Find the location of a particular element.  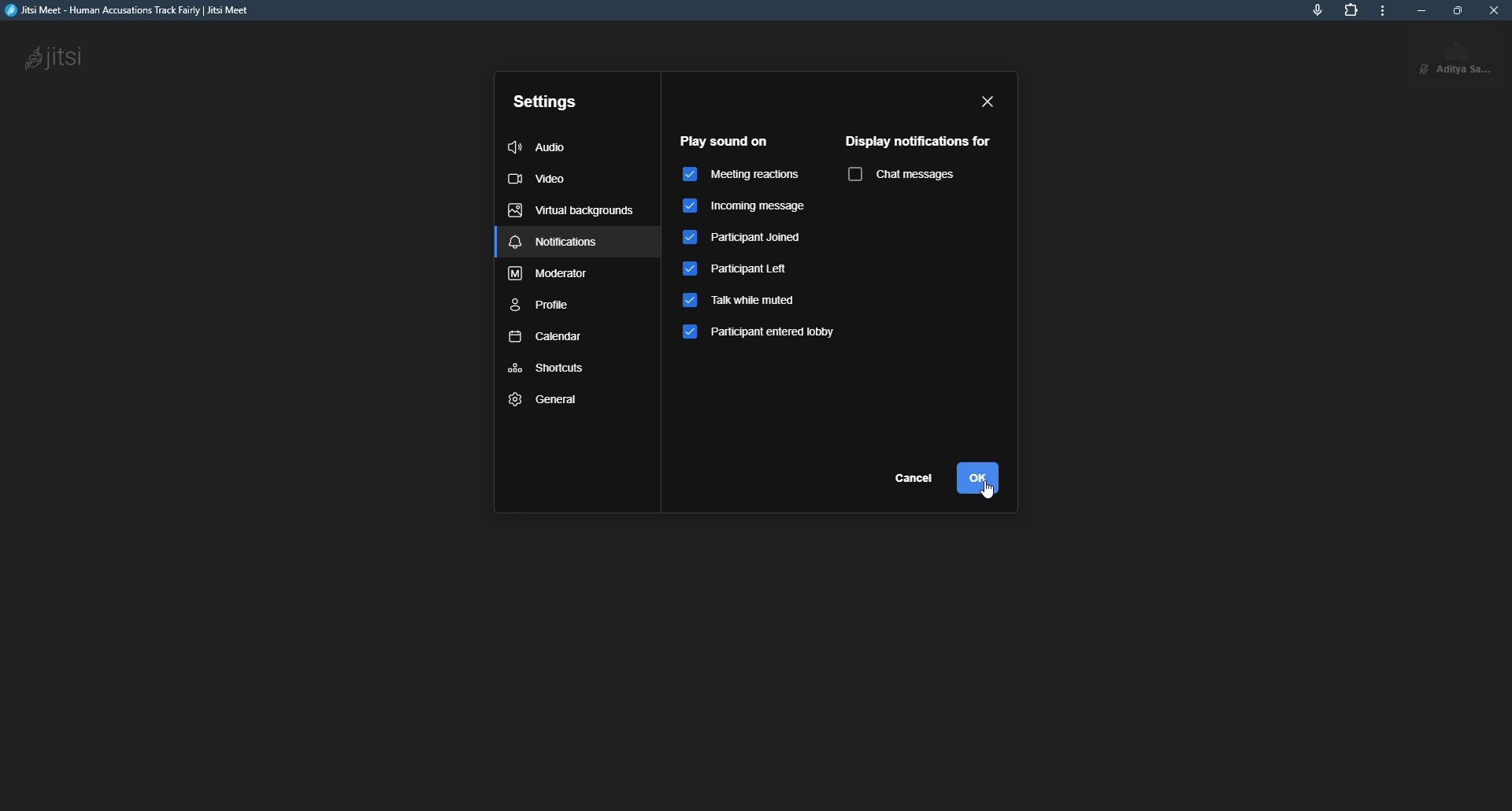

profile is located at coordinates (543, 306).